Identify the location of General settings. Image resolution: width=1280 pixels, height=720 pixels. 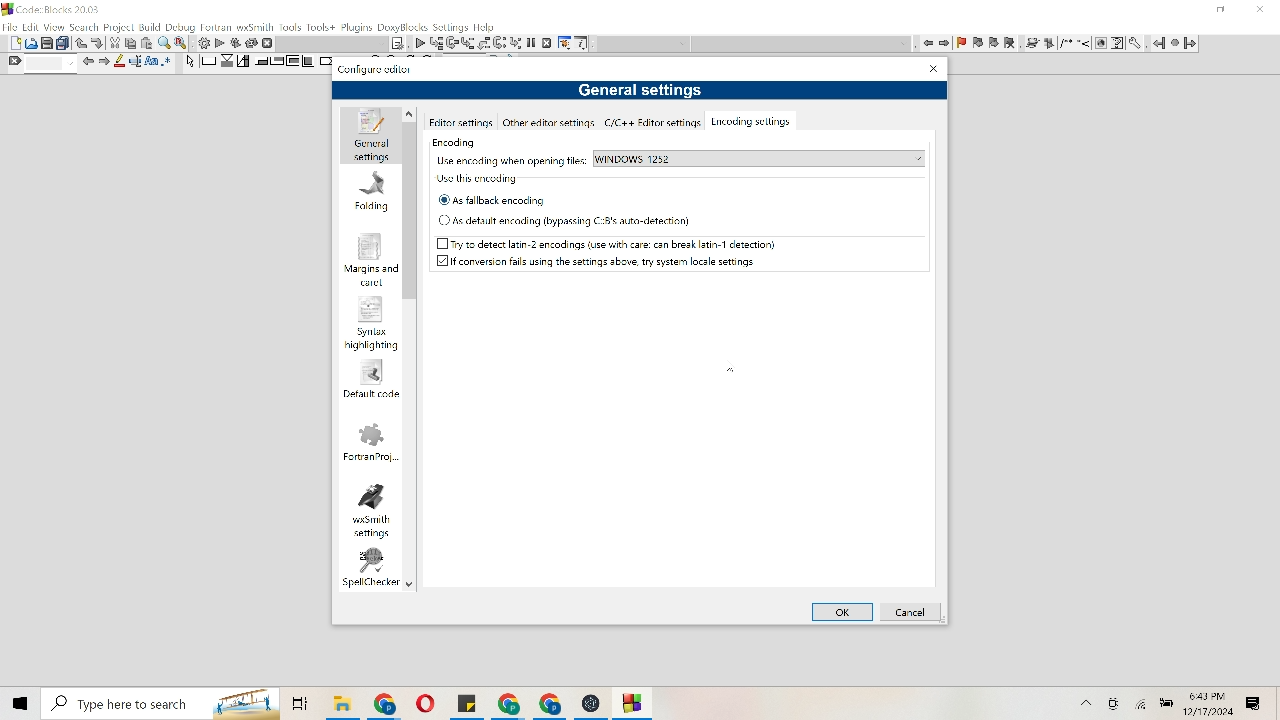
(644, 91).